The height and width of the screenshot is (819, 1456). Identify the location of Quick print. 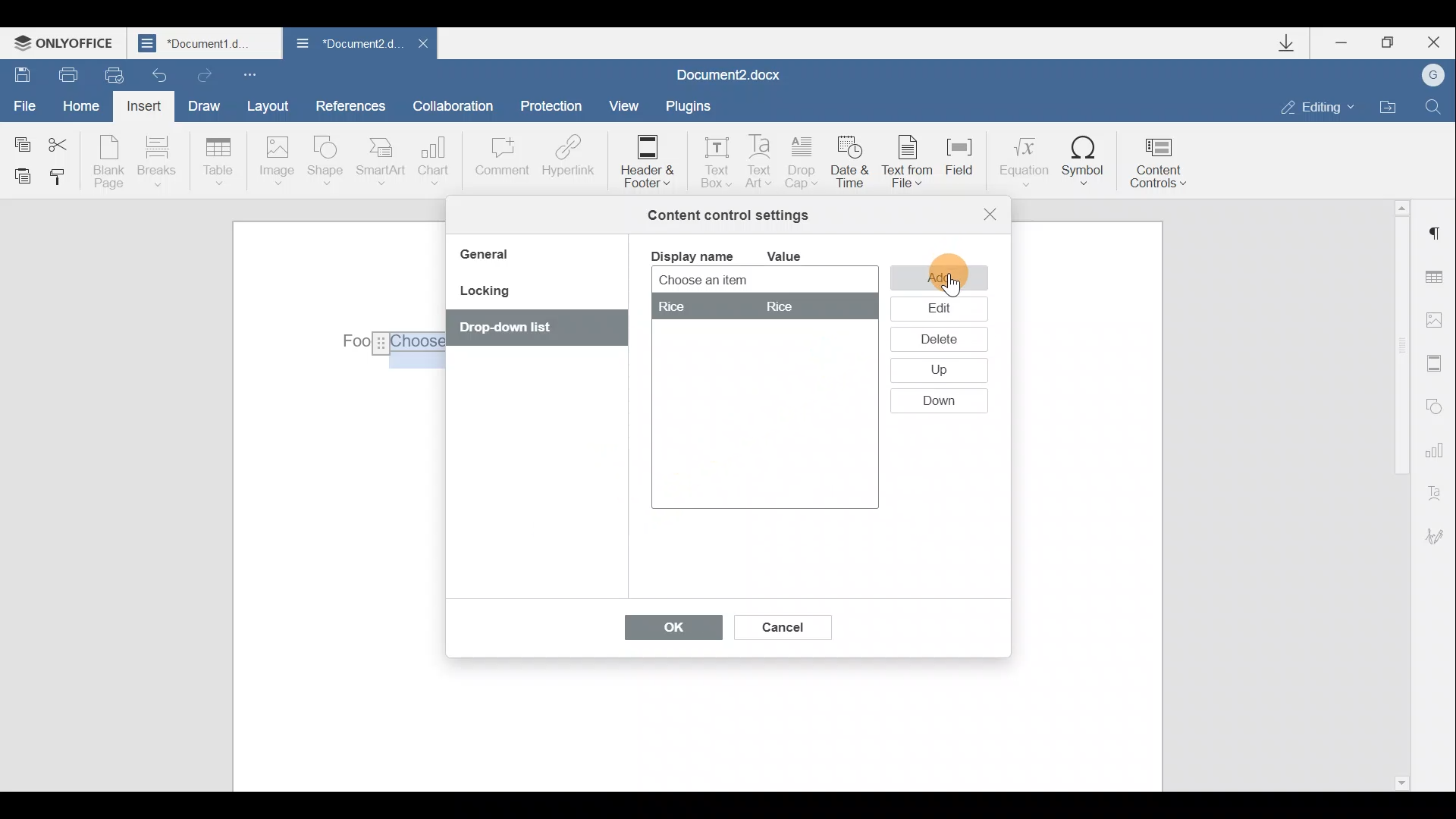
(112, 76).